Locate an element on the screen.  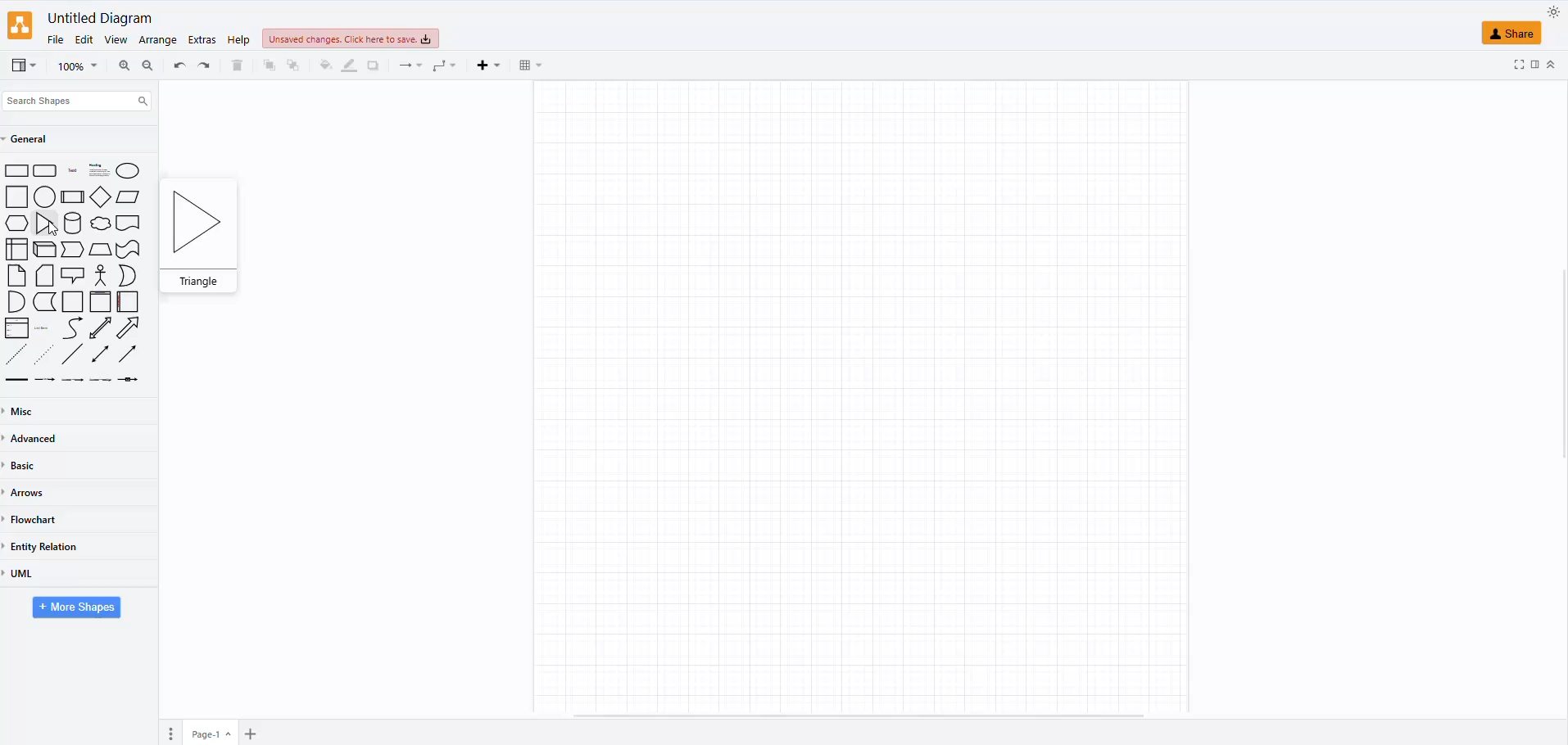
Polygon is located at coordinates (100, 250).